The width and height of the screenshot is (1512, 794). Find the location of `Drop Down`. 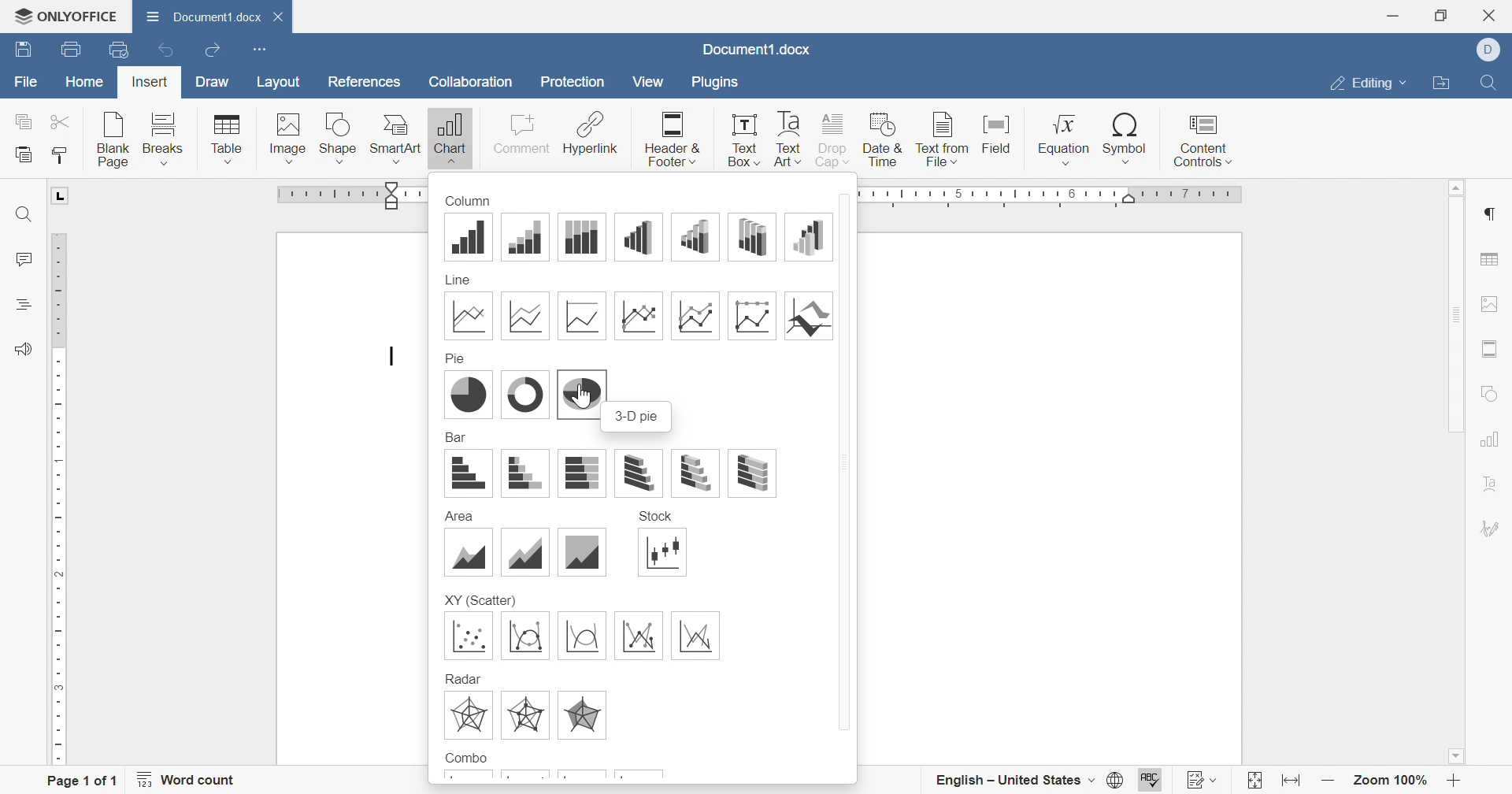

Drop Down is located at coordinates (1091, 780).